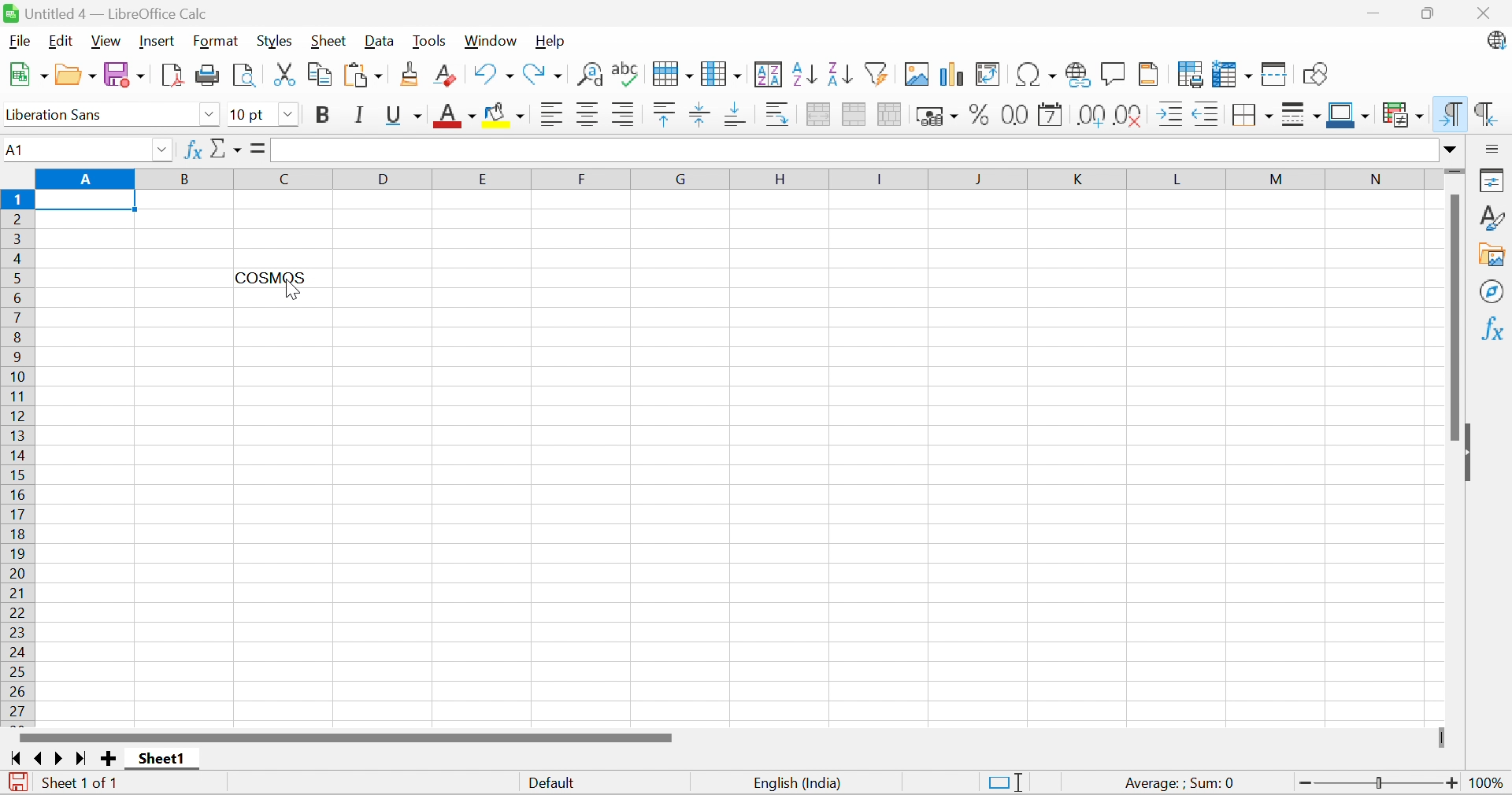 The width and height of the screenshot is (1512, 795). I want to click on Find and Replace, so click(589, 75).